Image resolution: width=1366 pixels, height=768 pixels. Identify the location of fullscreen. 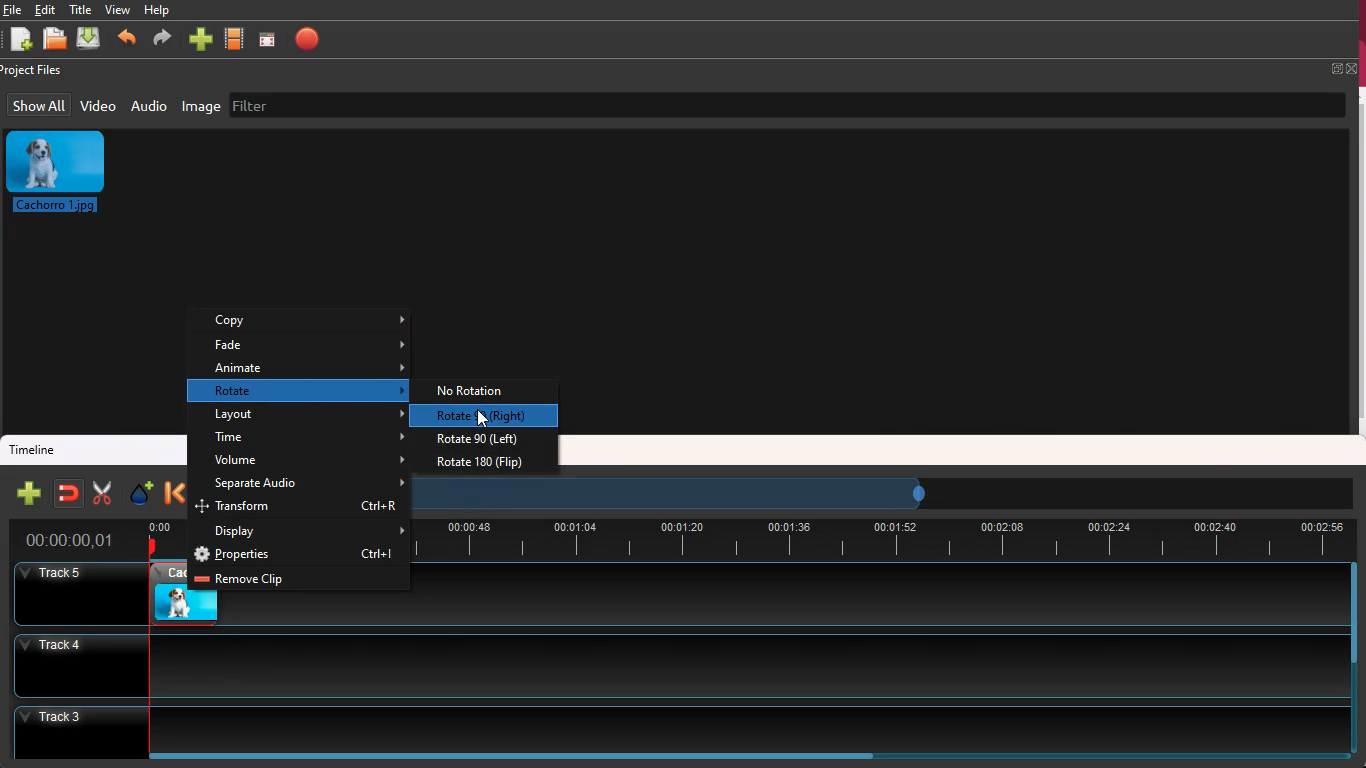
(1342, 66).